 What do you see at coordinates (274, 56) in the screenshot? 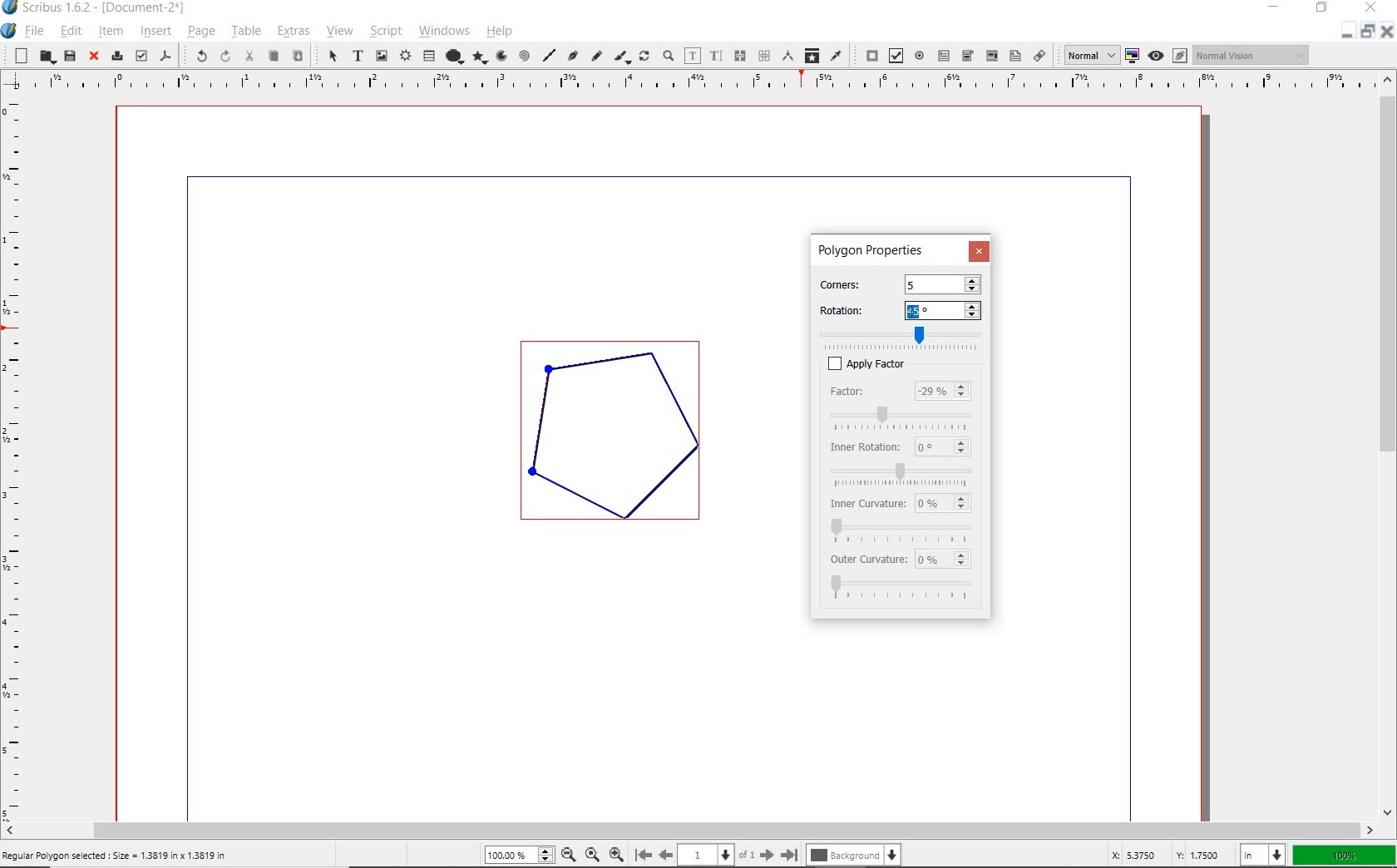
I see `copy` at bounding box center [274, 56].